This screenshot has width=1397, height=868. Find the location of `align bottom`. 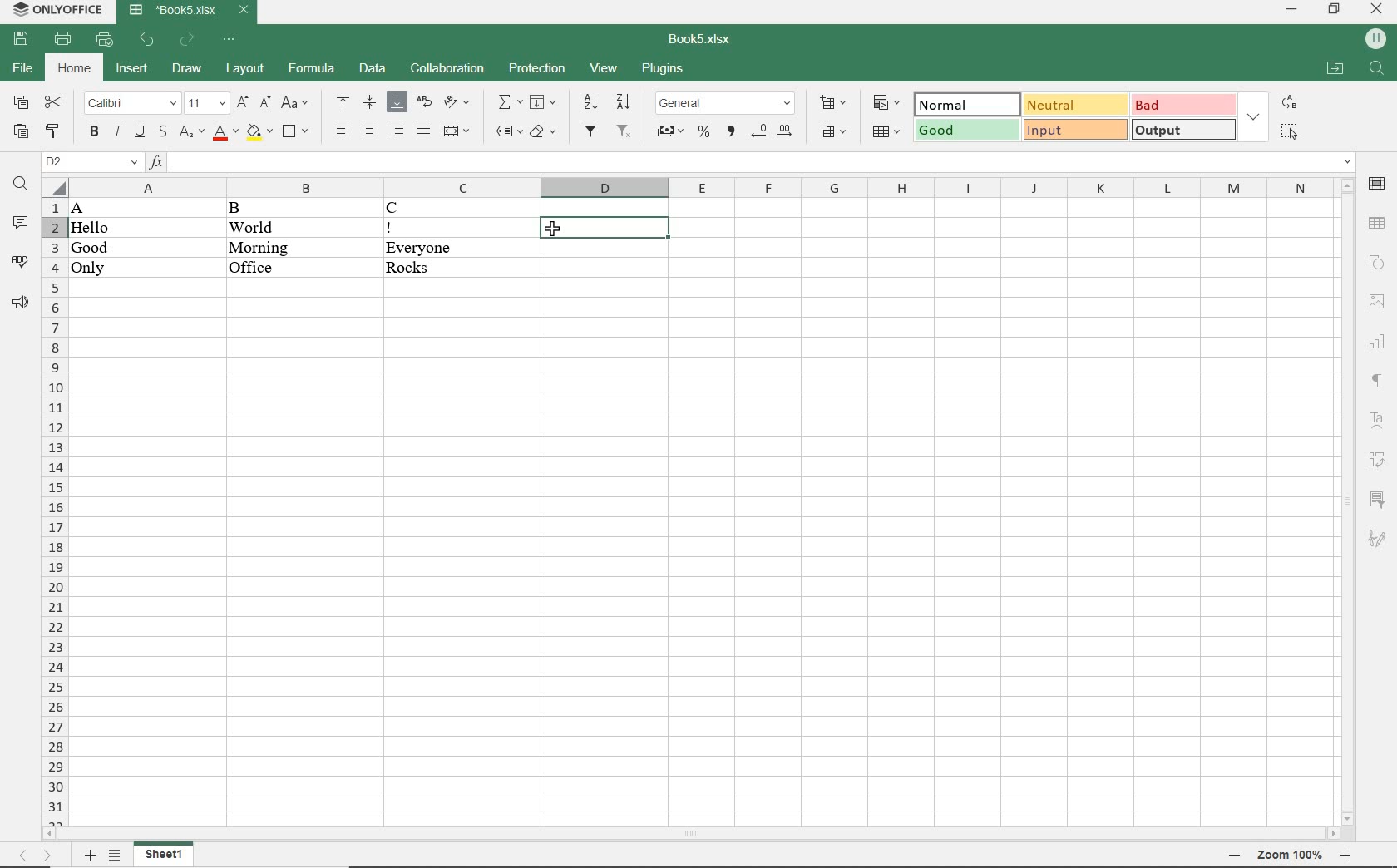

align bottom is located at coordinates (398, 102).